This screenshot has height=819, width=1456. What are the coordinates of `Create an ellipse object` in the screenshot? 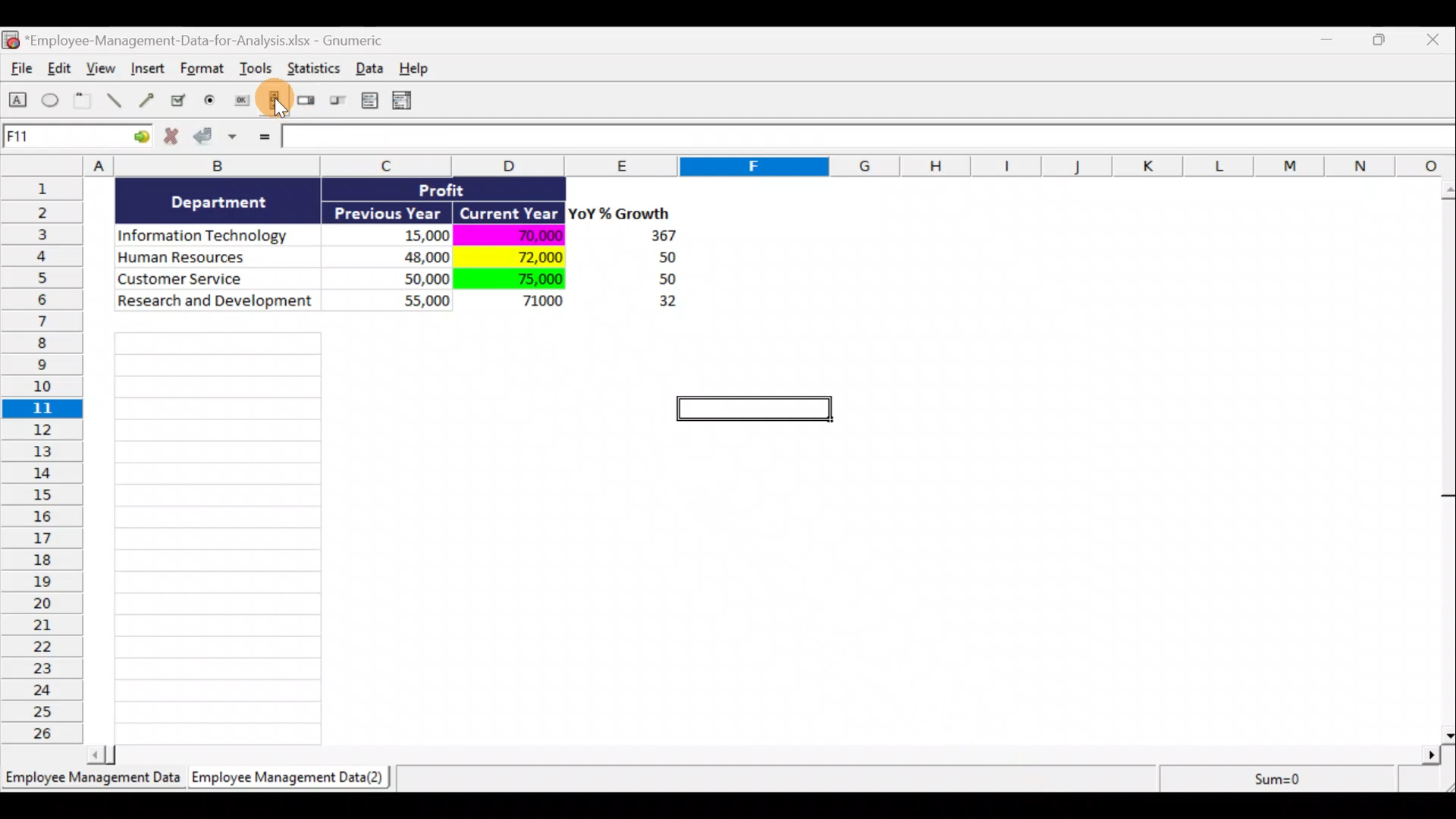 It's located at (51, 101).